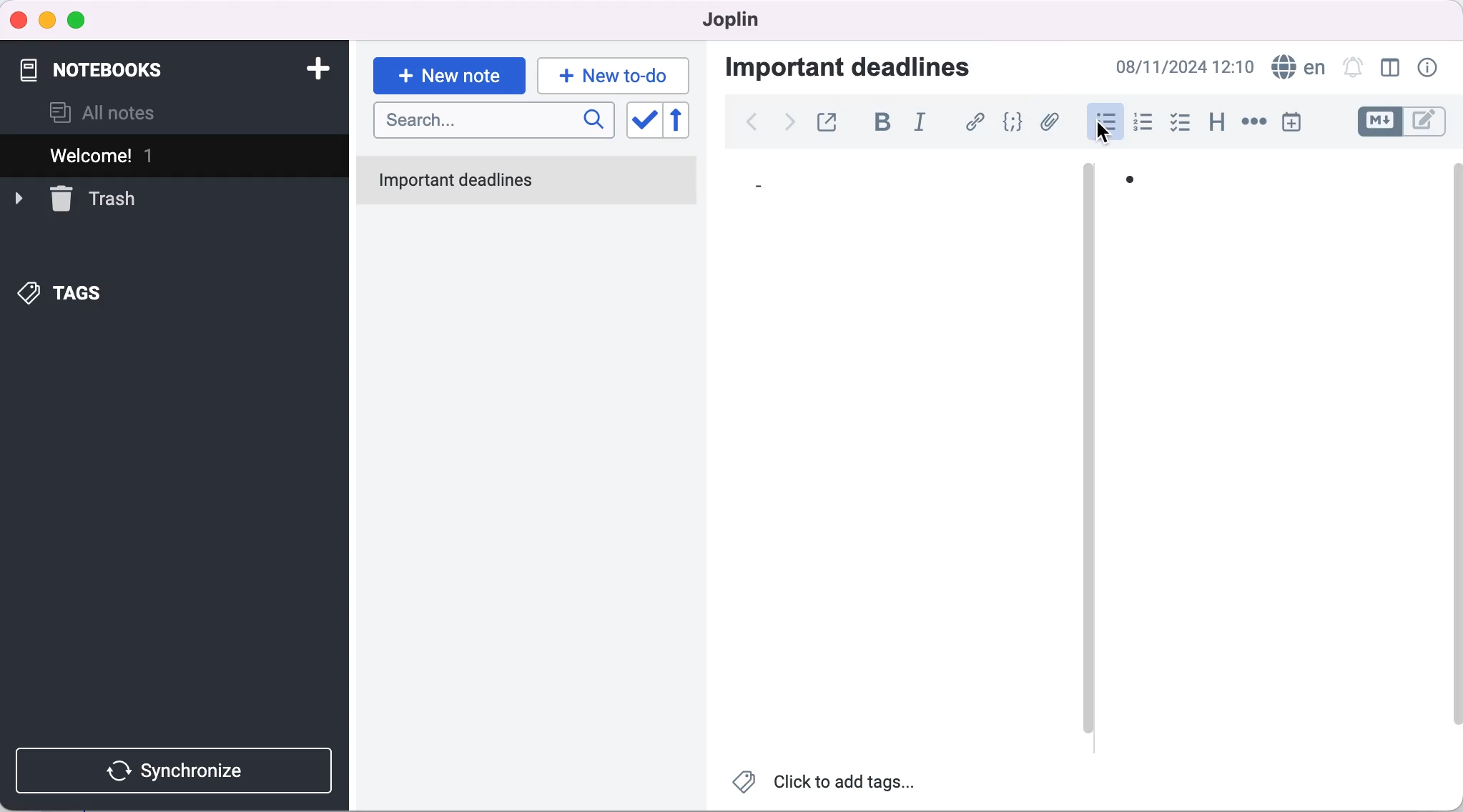 Image resolution: width=1463 pixels, height=812 pixels. What do you see at coordinates (152, 156) in the screenshot?
I see `welcome 1` at bounding box center [152, 156].